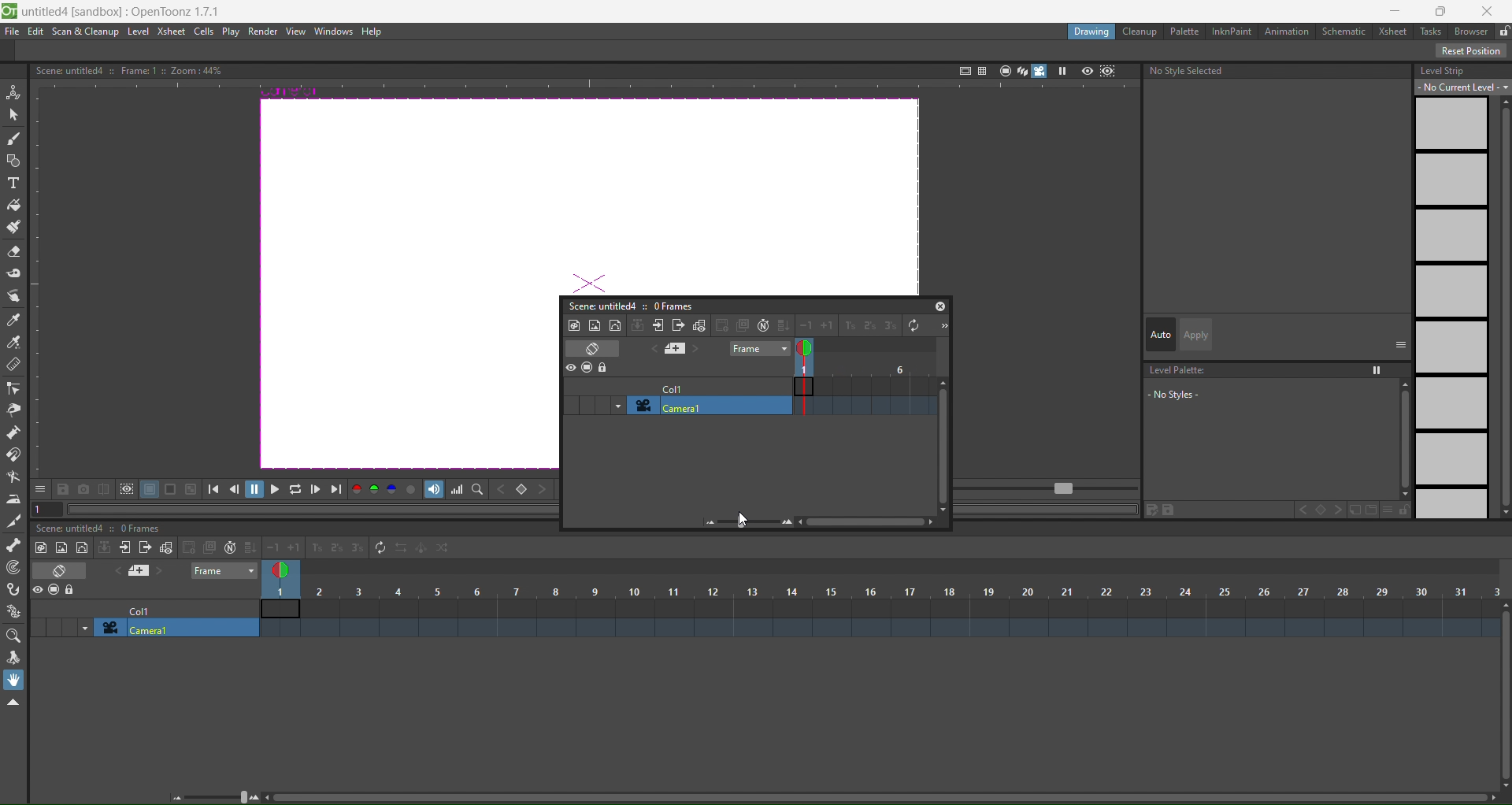 The height and width of the screenshot is (805, 1512). I want to click on tape tool, so click(14, 273).